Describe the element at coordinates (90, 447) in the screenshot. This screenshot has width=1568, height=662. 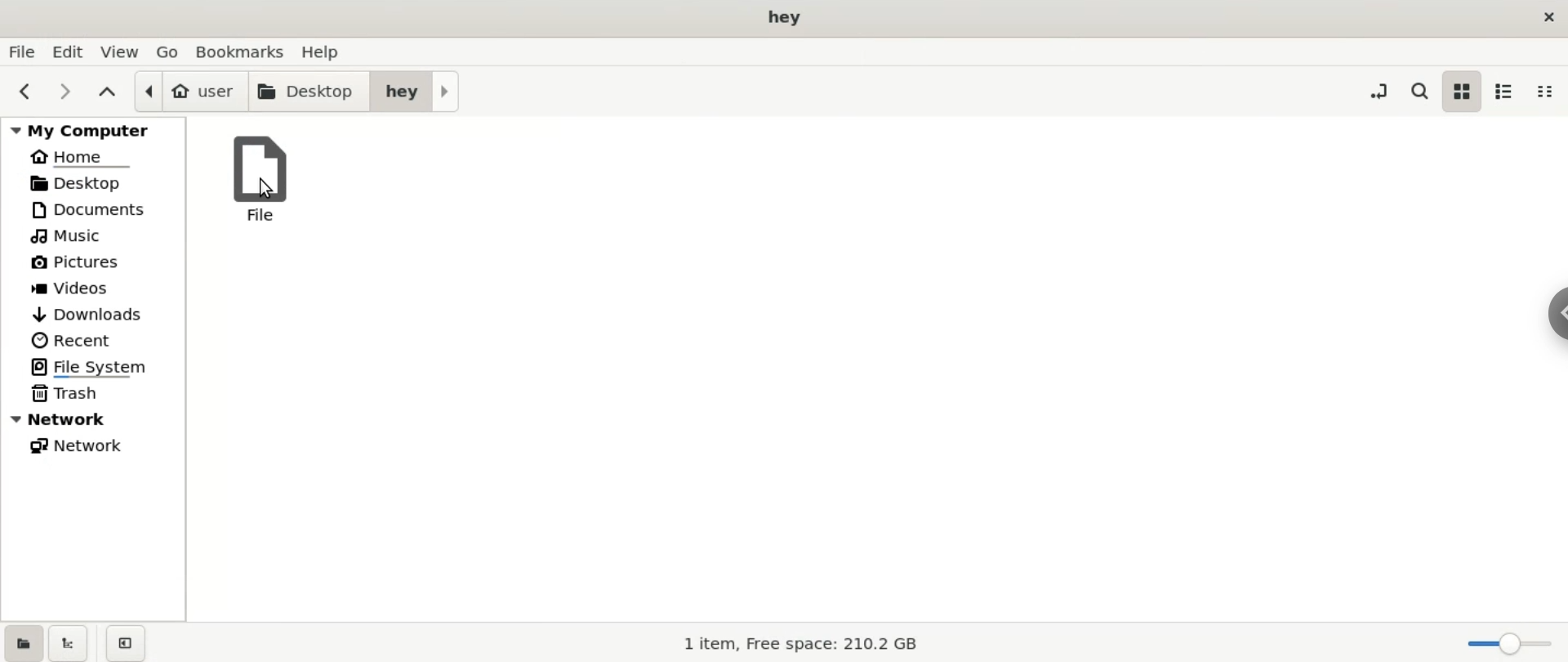
I see `network` at that location.